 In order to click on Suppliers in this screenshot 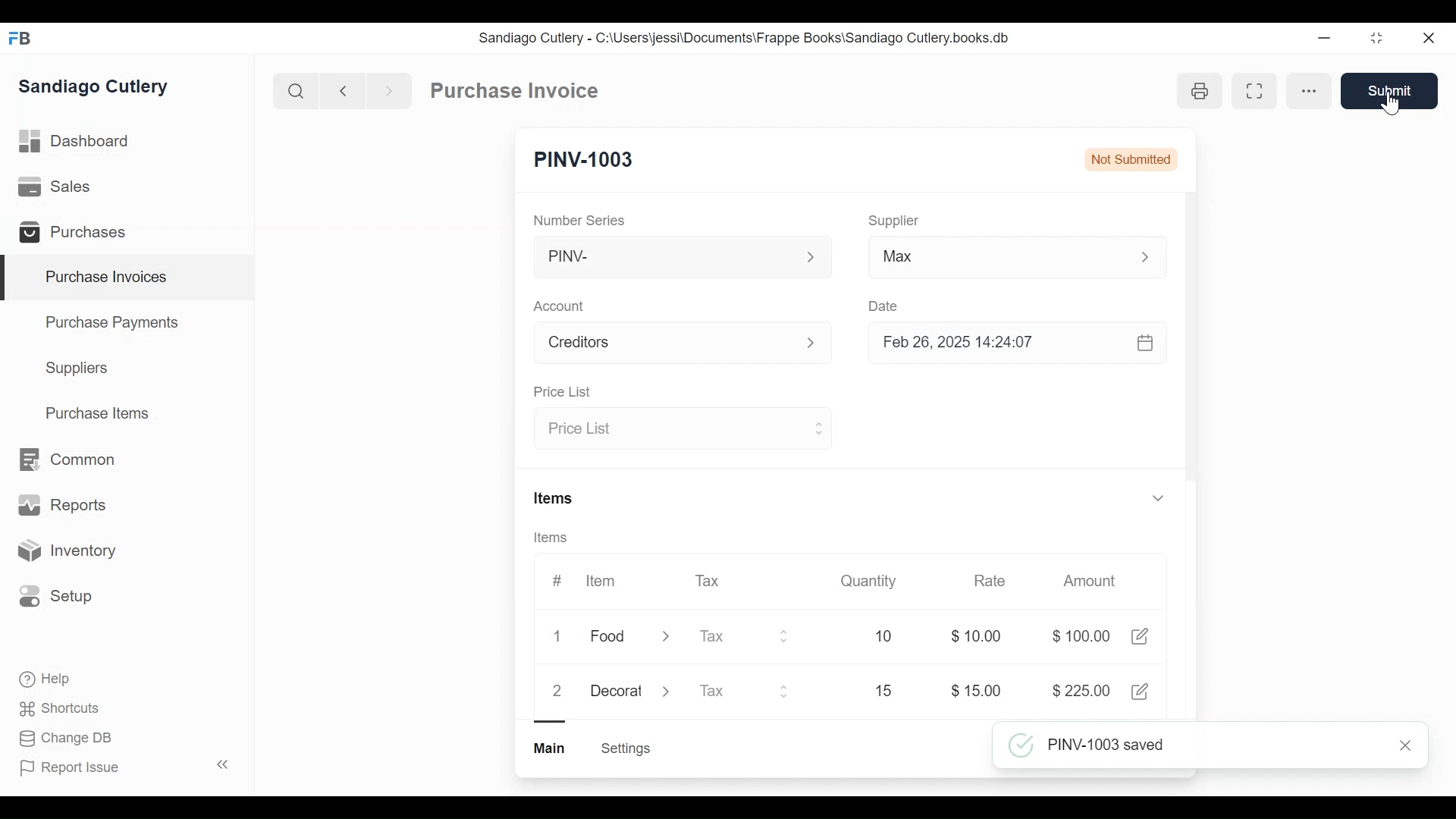, I will do `click(77, 369)`.